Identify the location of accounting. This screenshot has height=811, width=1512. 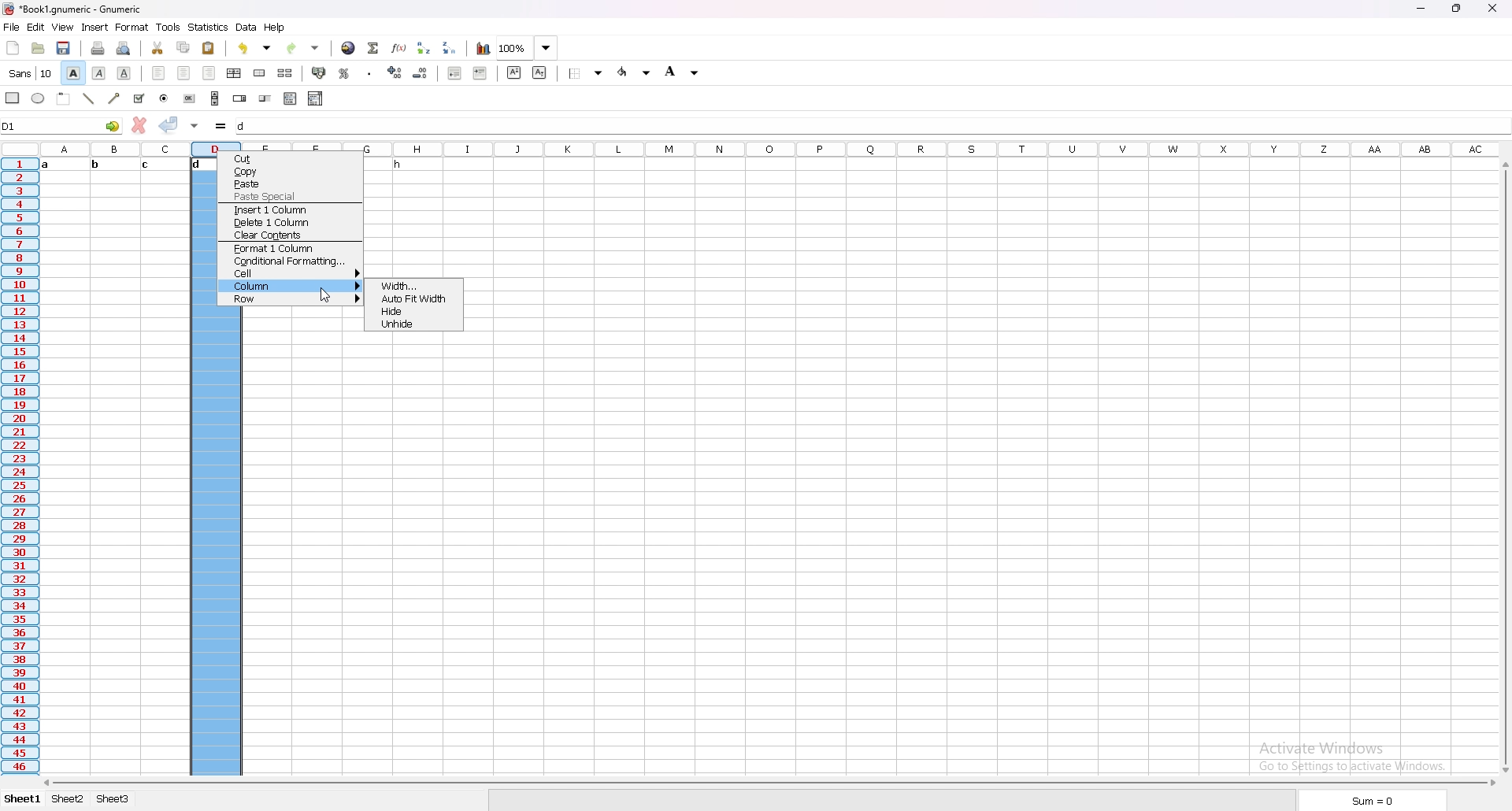
(320, 73).